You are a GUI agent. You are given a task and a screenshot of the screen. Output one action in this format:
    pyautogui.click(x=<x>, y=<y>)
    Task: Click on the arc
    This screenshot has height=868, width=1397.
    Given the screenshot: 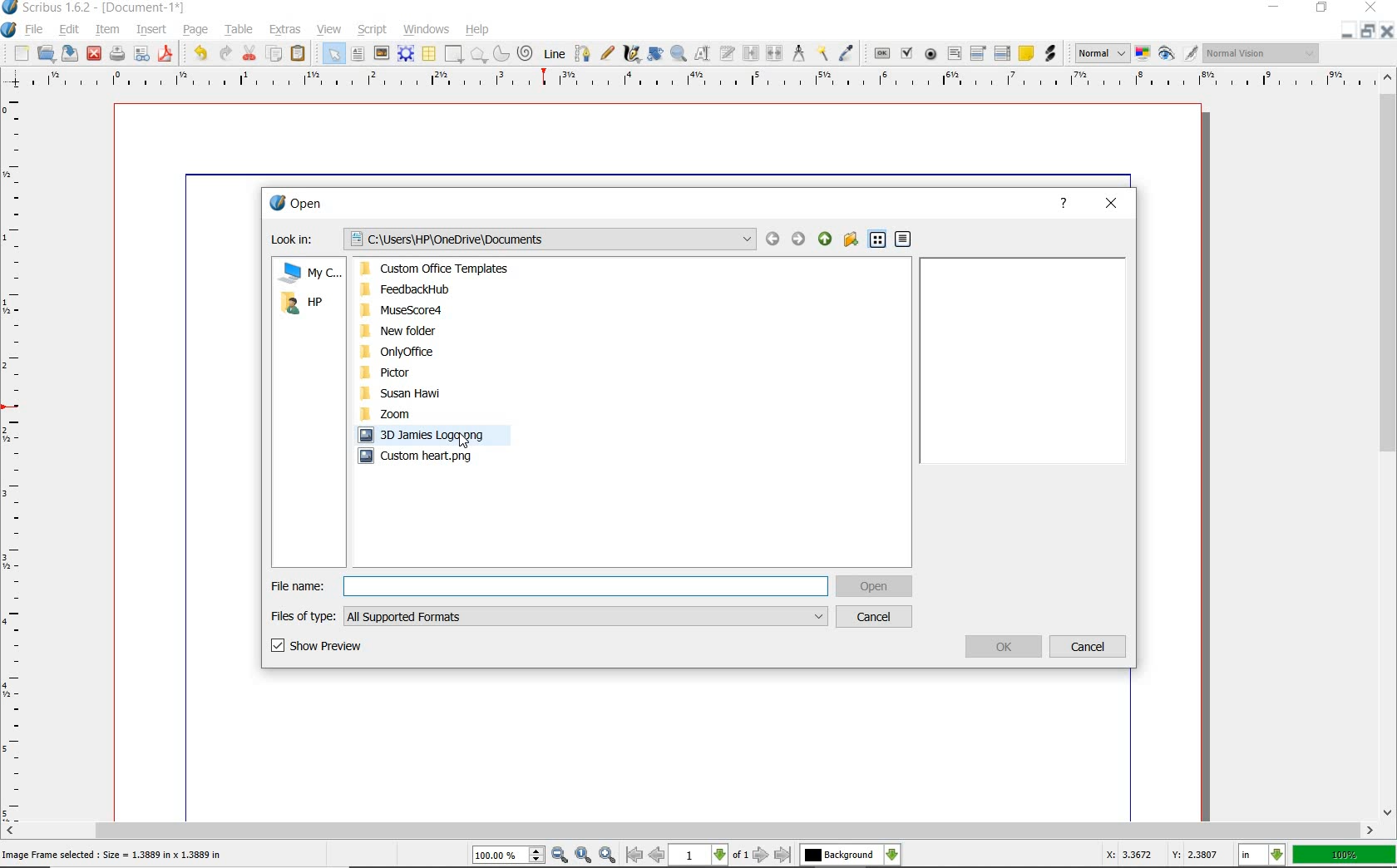 What is the action you would take?
    pyautogui.click(x=501, y=54)
    